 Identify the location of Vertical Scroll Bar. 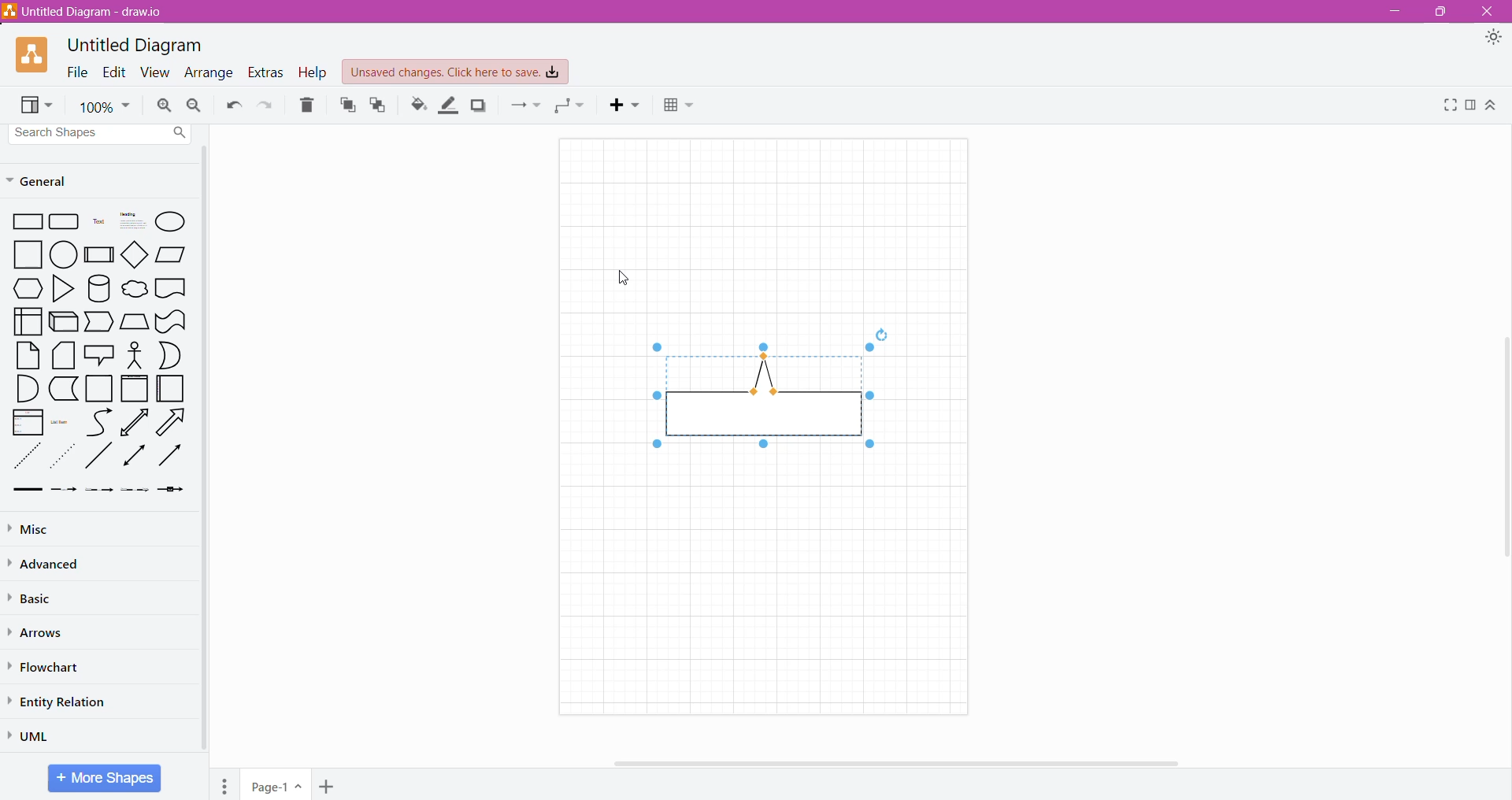
(1502, 451).